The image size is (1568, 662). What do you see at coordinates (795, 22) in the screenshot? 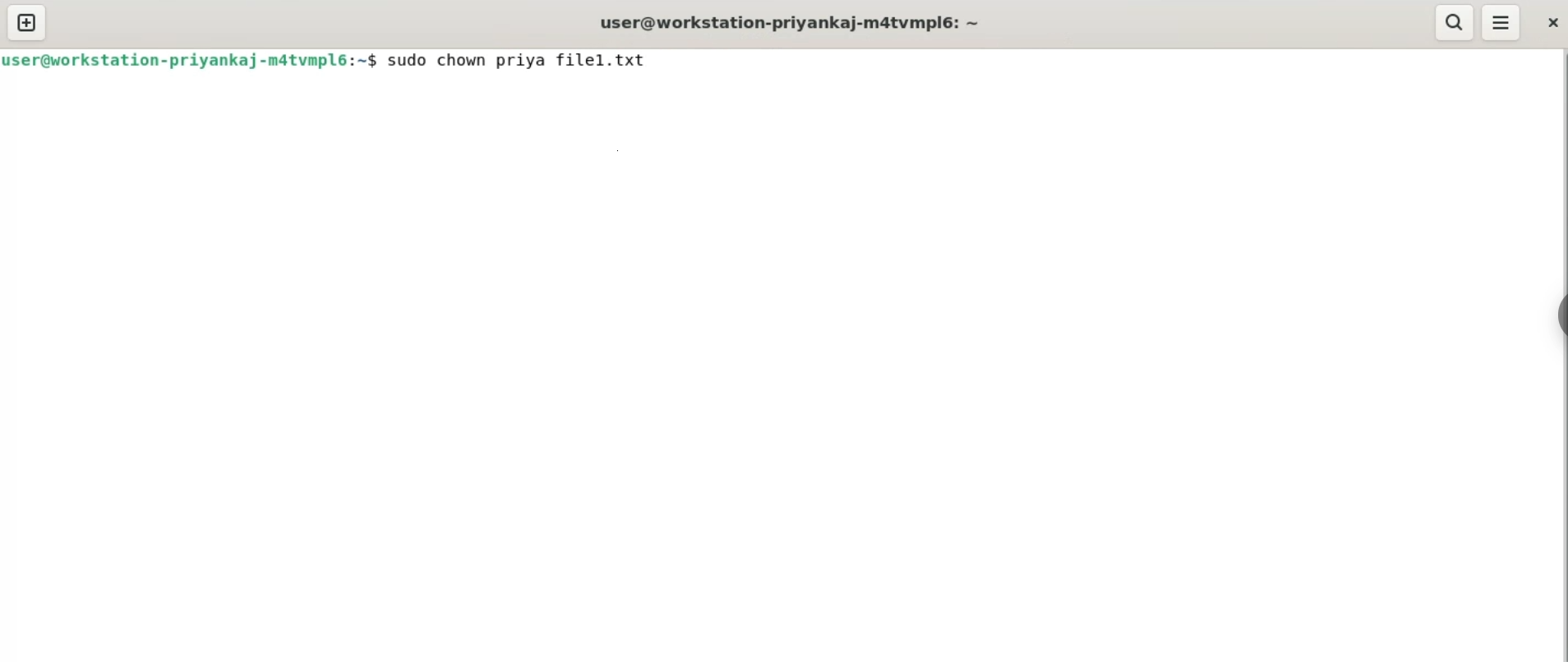
I see `user@workstation-priyankaj-m4tvmpl6: ~` at bounding box center [795, 22].